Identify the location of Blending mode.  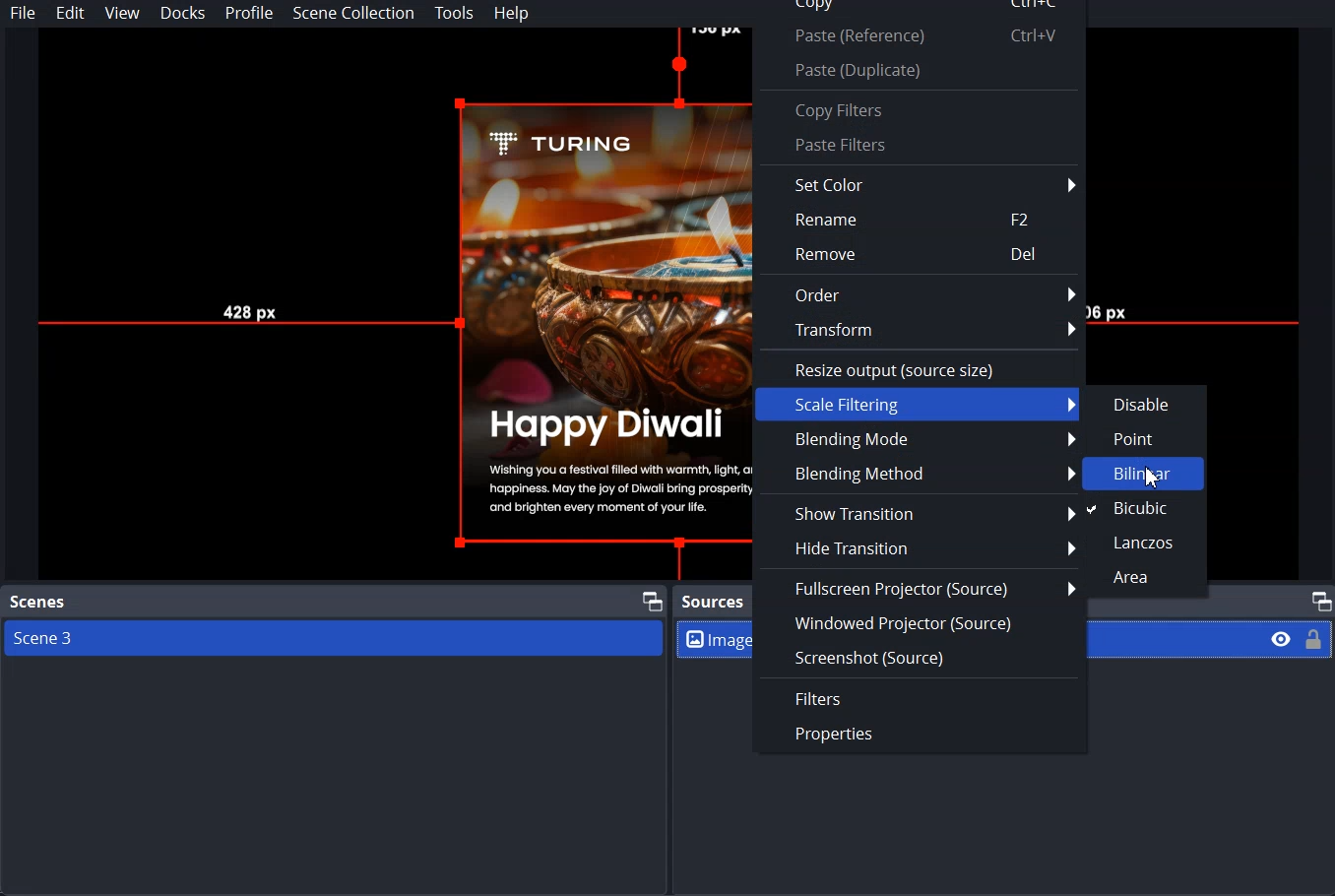
(914, 438).